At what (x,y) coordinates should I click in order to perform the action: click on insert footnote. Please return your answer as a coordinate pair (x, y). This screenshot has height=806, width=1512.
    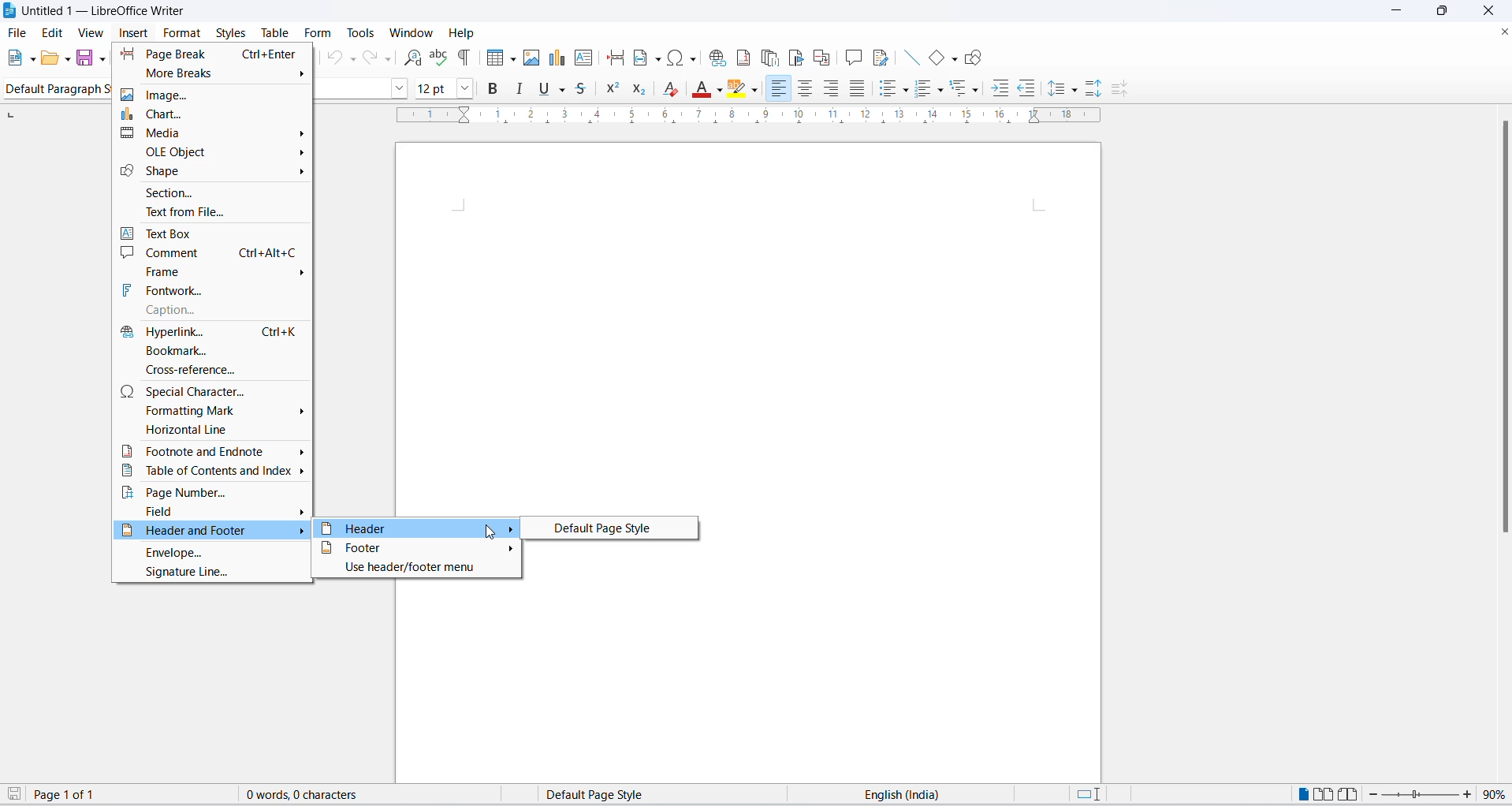
    Looking at the image, I should click on (744, 57).